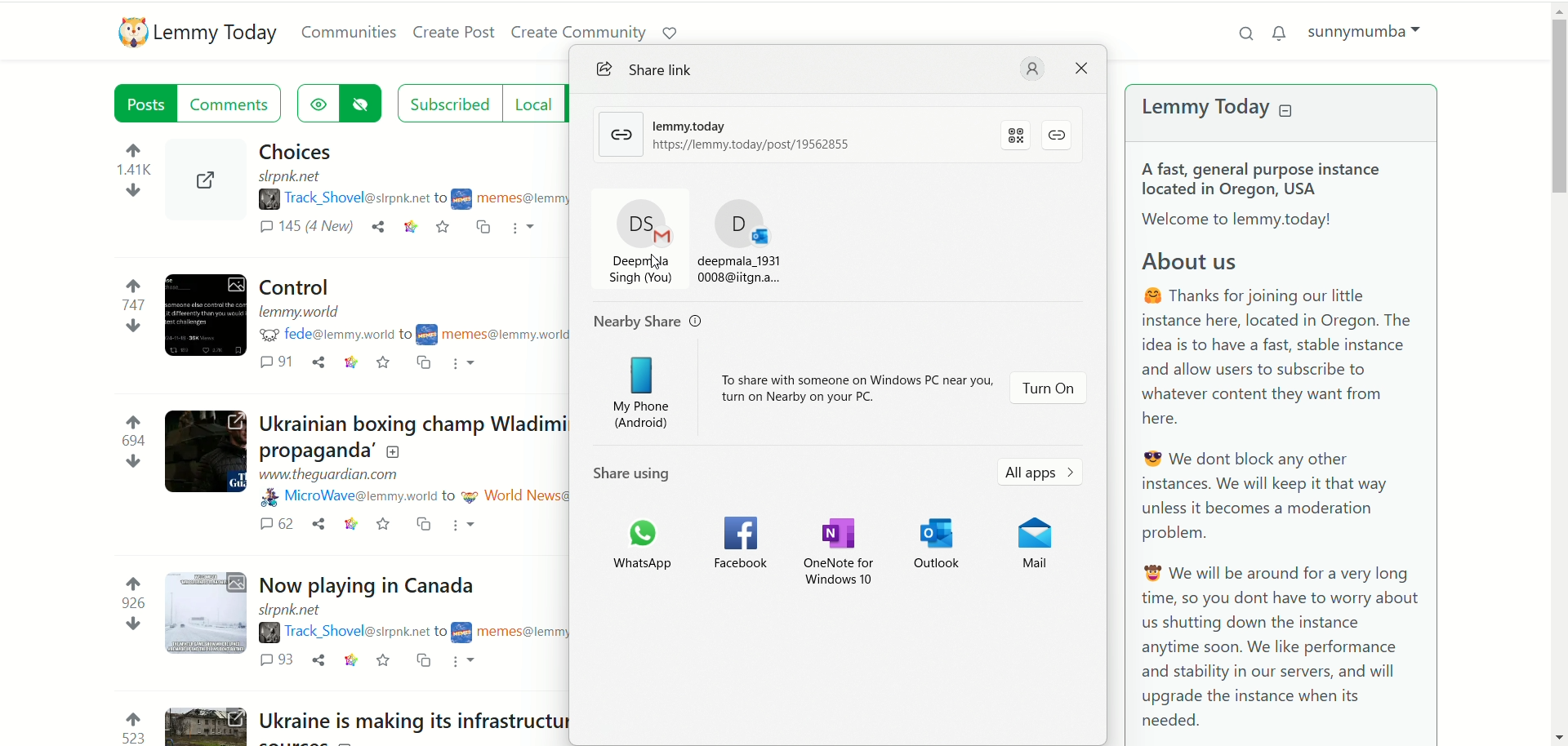 The width and height of the screenshot is (1568, 746). What do you see at coordinates (512, 198) in the screenshot?
I see `community` at bounding box center [512, 198].